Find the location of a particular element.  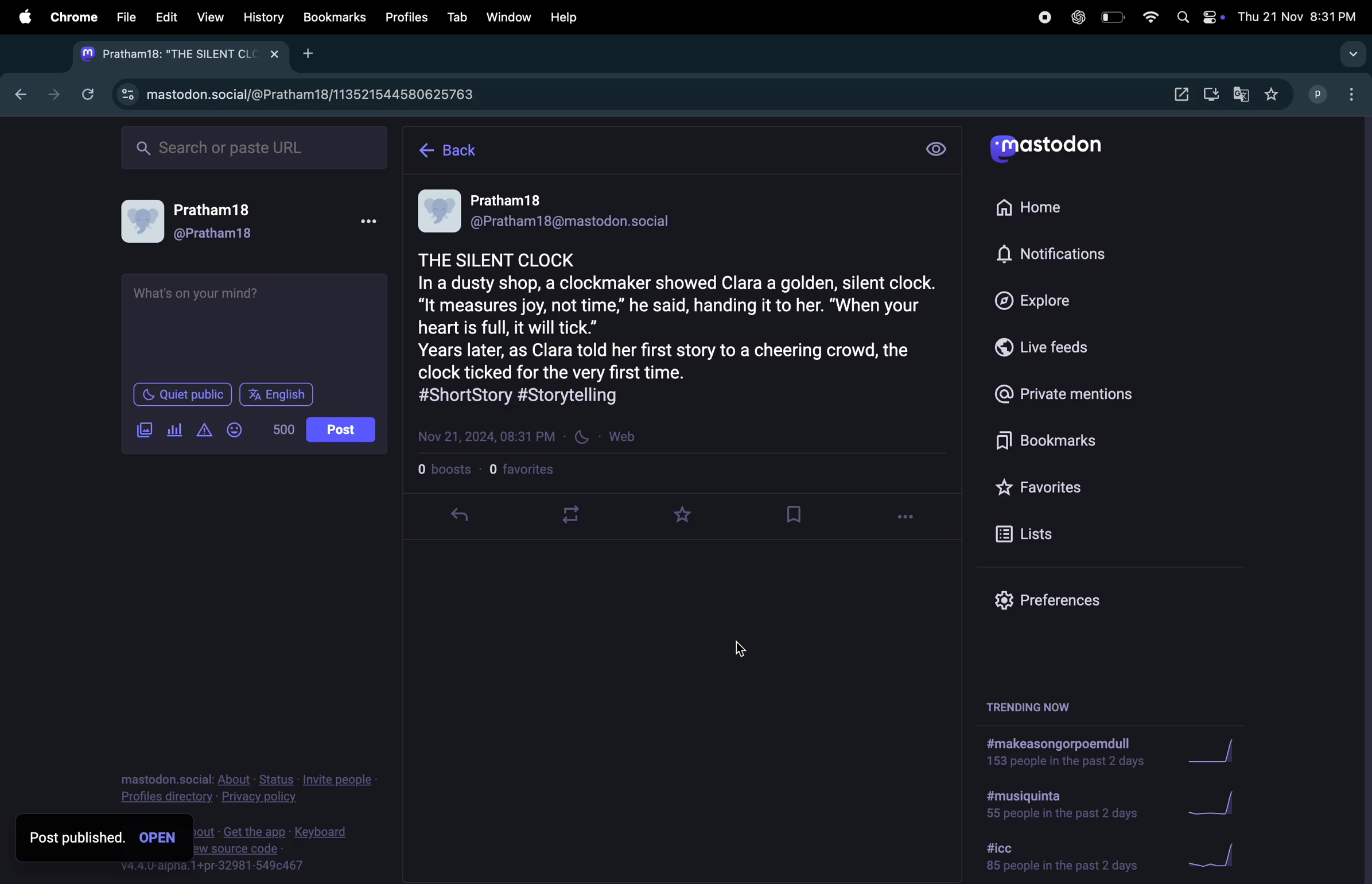

more options is located at coordinates (370, 223).